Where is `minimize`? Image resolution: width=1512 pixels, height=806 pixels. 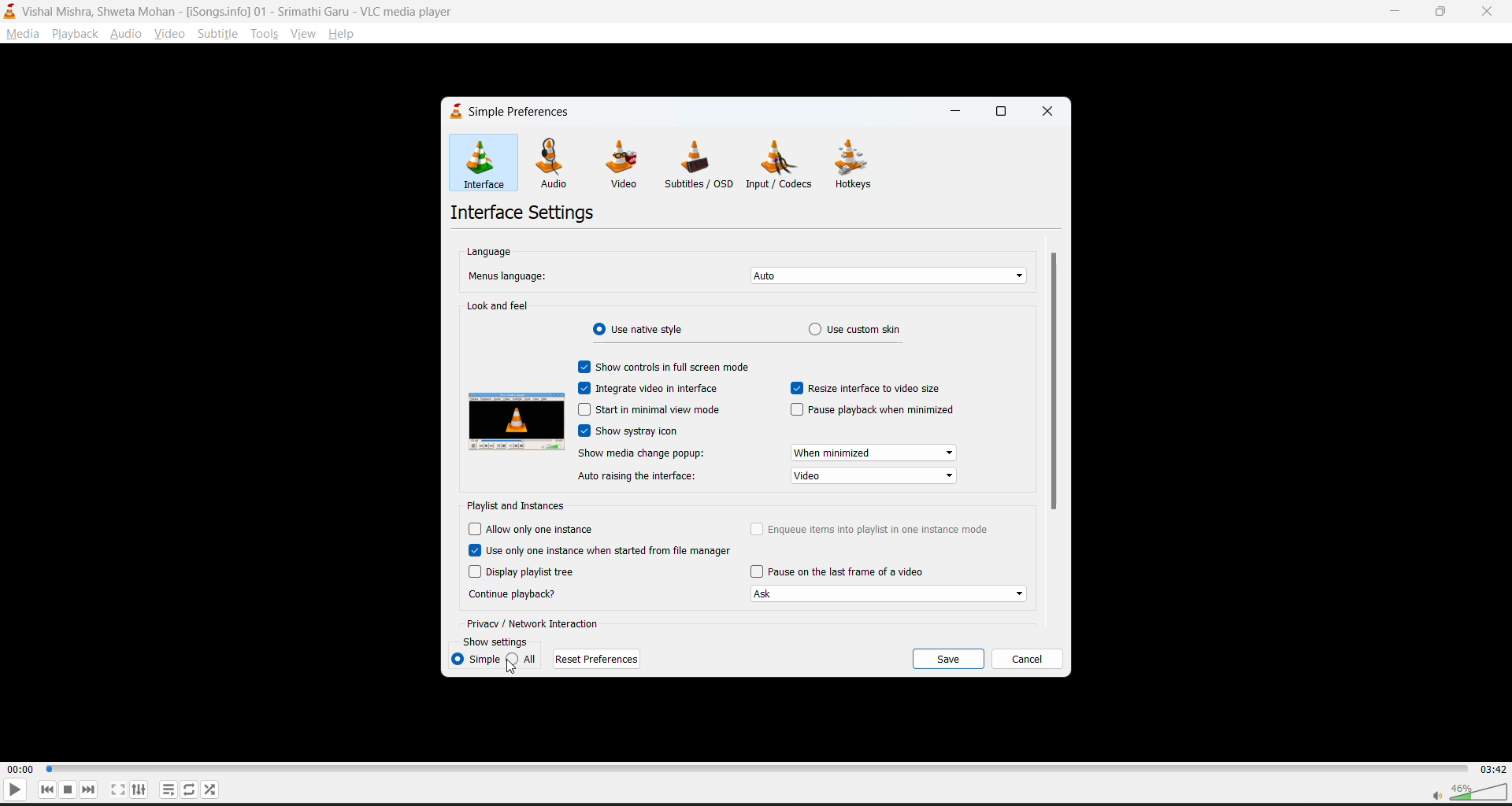
minimize is located at coordinates (952, 110).